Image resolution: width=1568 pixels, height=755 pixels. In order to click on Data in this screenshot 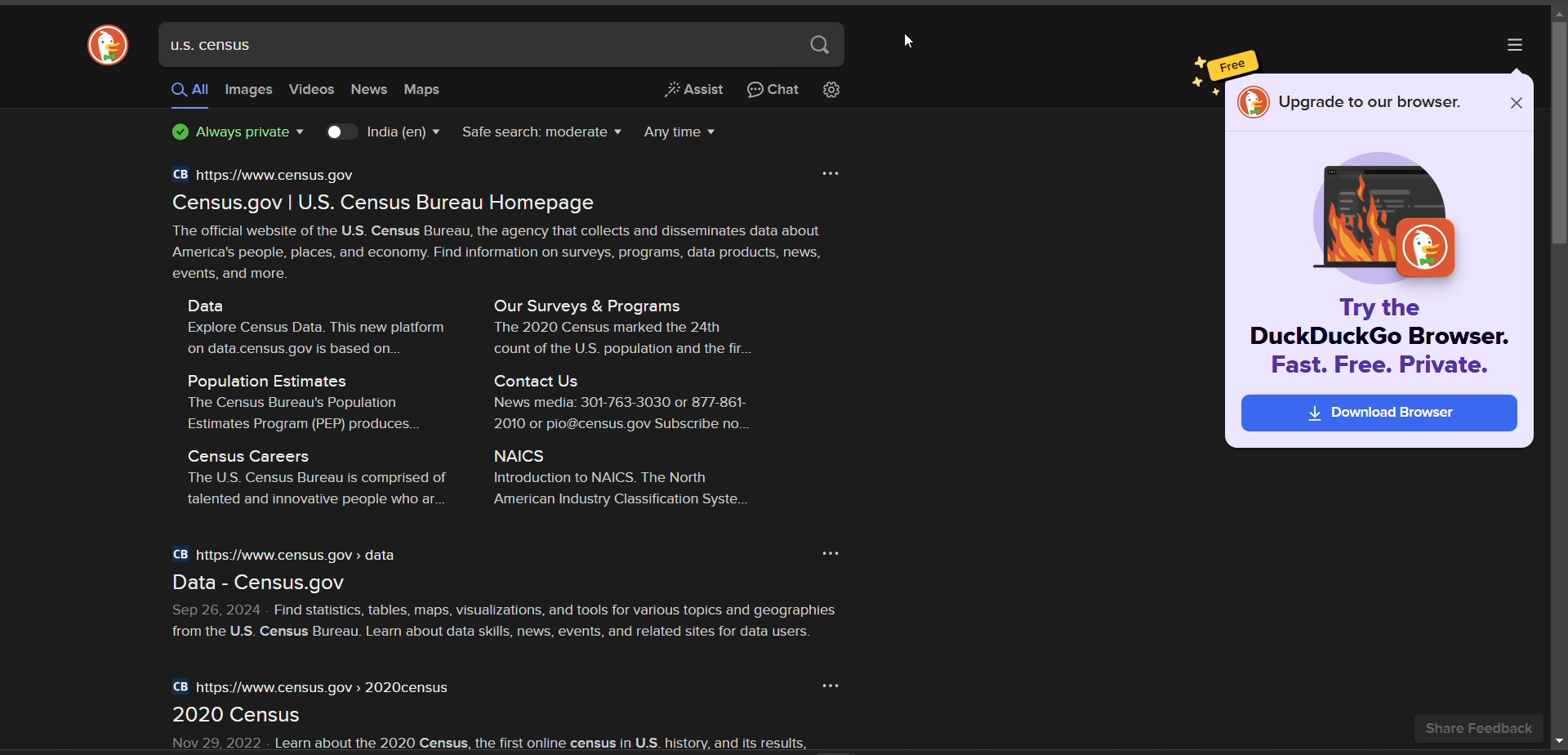, I will do `click(220, 303)`.